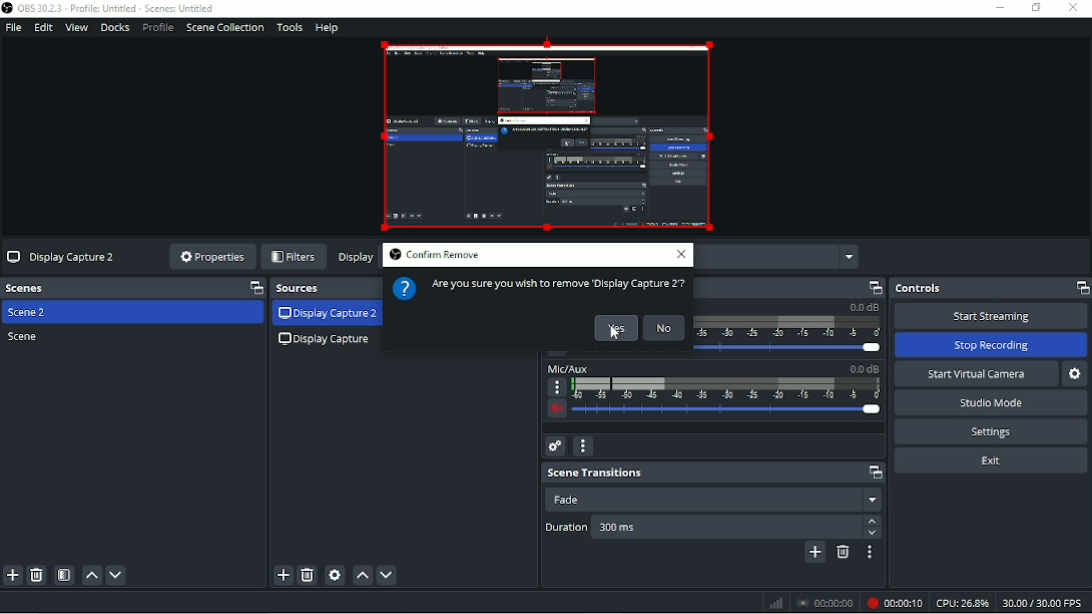 The height and width of the screenshot is (614, 1092). What do you see at coordinates (993, 403) in the screenshot?
I see `Studio Mode` at bounding box center [993, 403].